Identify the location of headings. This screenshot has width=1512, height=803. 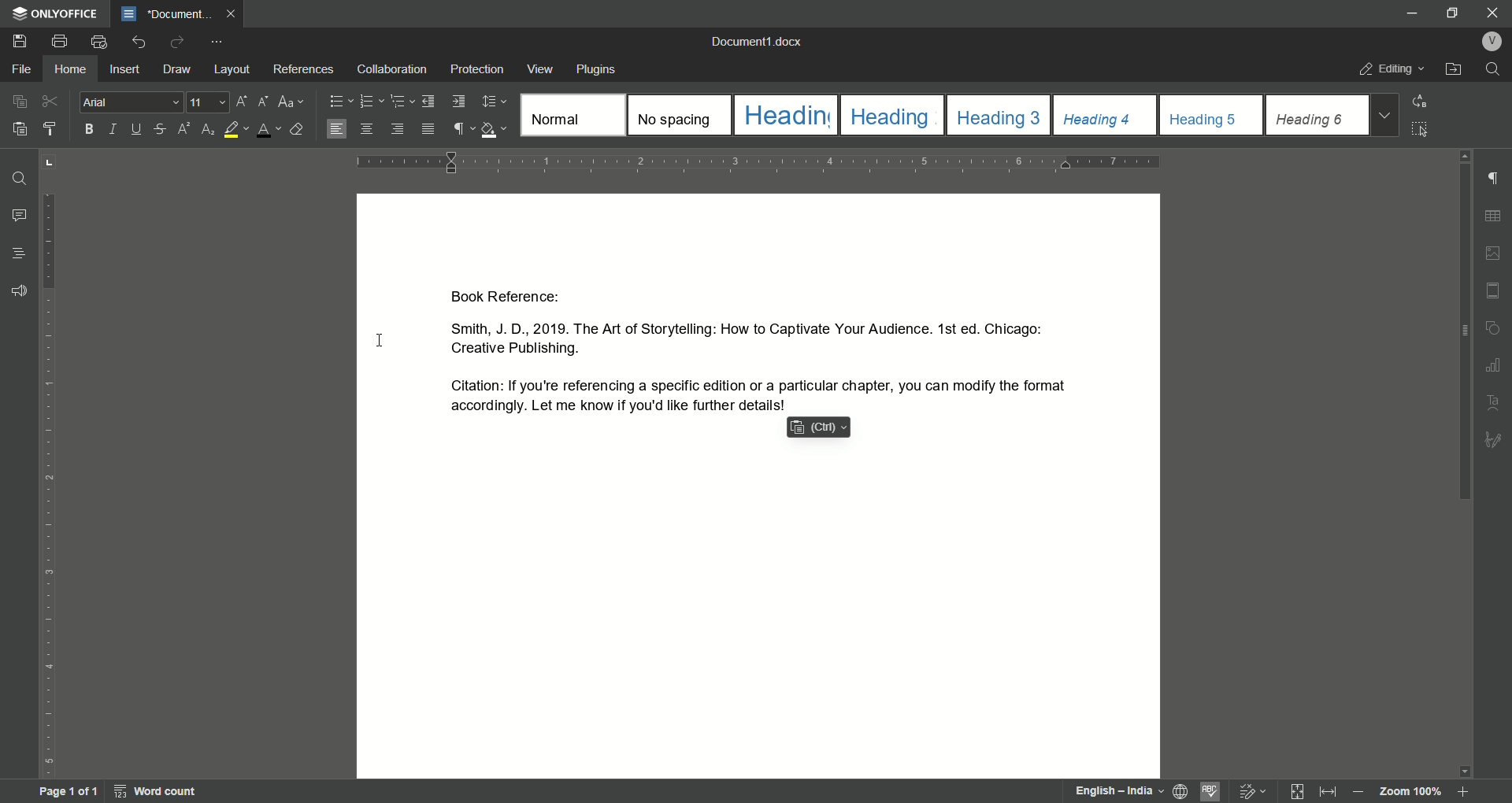
(1106, 114).